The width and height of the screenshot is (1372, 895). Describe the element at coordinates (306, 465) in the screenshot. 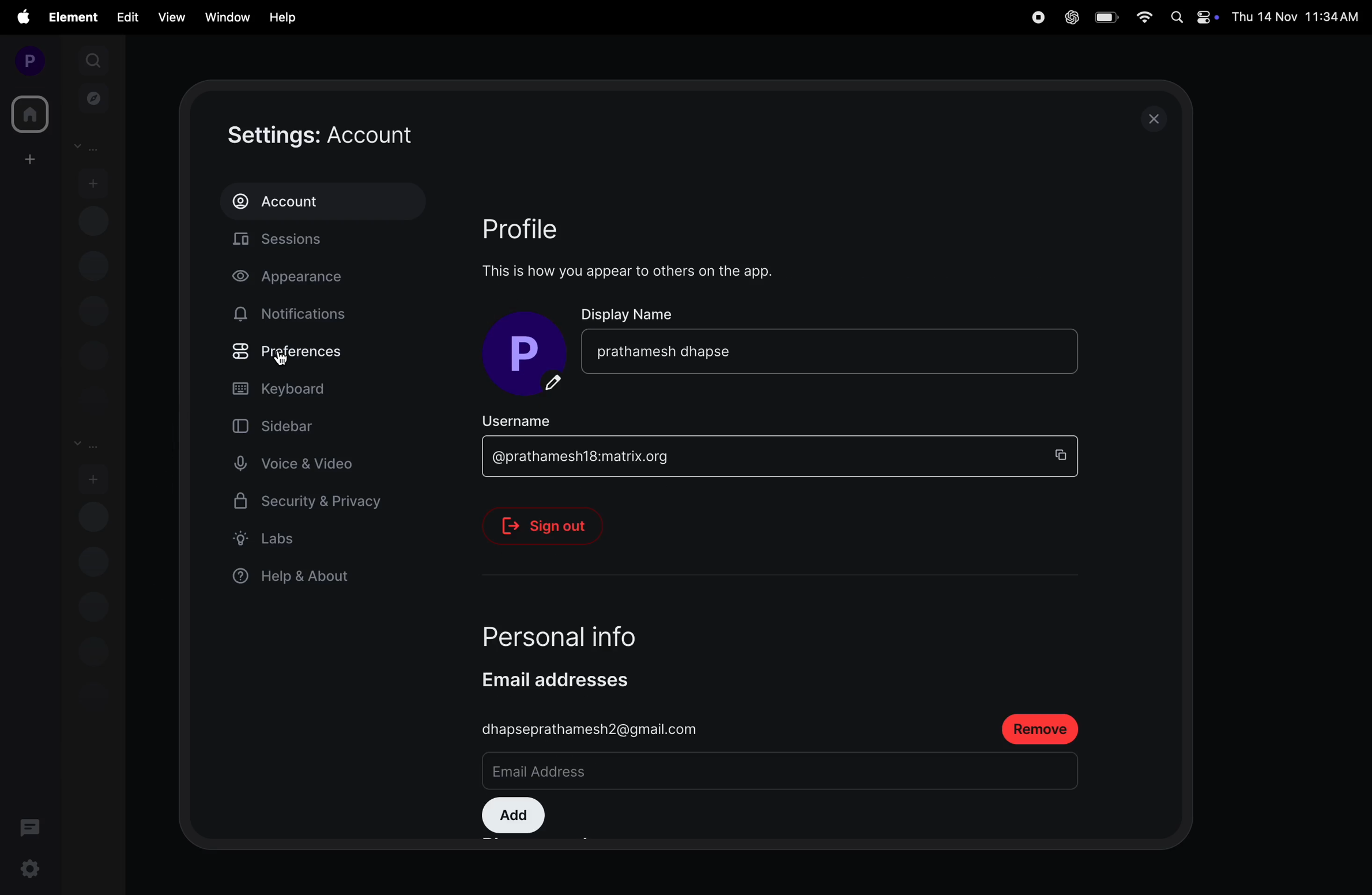

I see `voice and video` at that location.